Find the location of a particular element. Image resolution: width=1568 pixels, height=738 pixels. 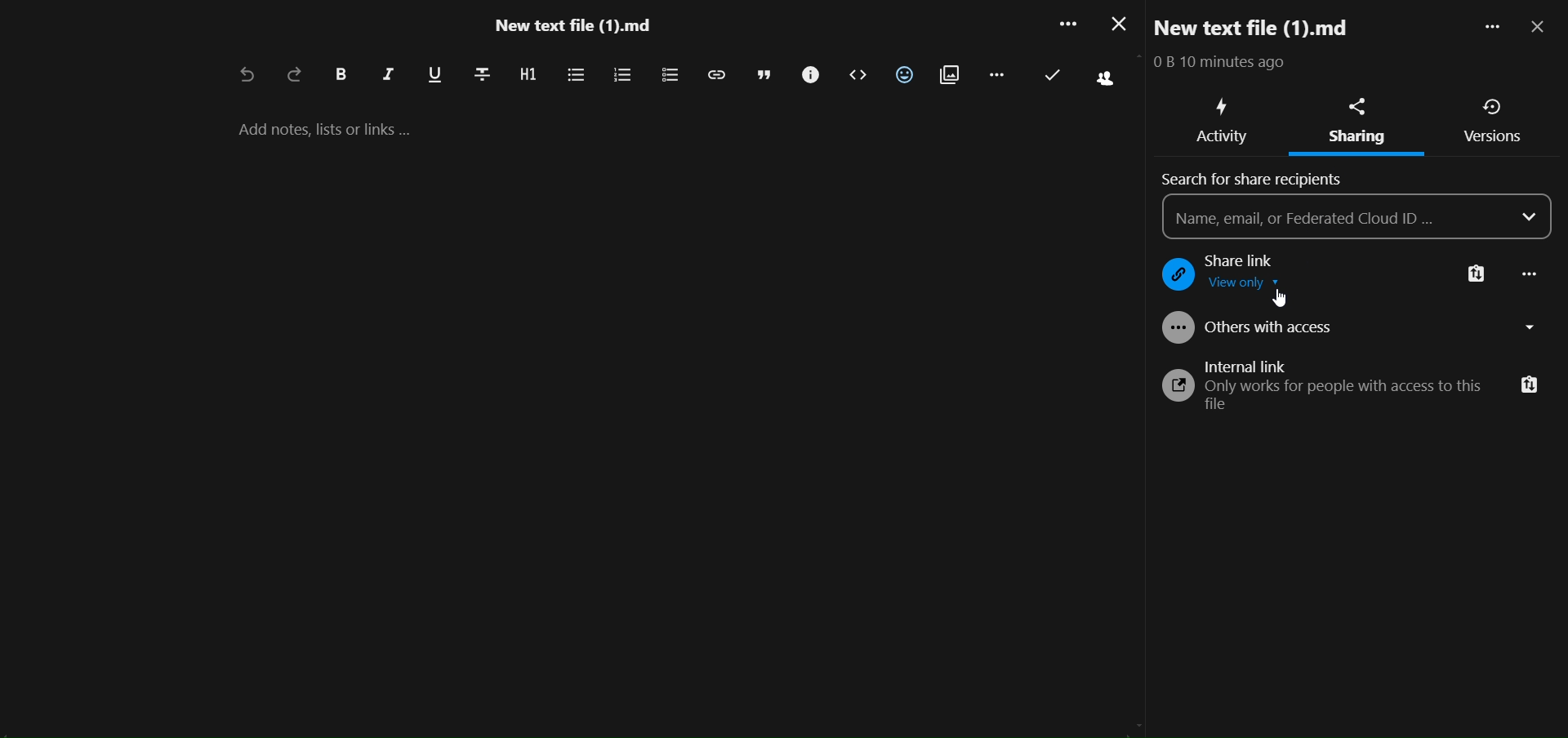

activity is located at coordinates (1225, 139).